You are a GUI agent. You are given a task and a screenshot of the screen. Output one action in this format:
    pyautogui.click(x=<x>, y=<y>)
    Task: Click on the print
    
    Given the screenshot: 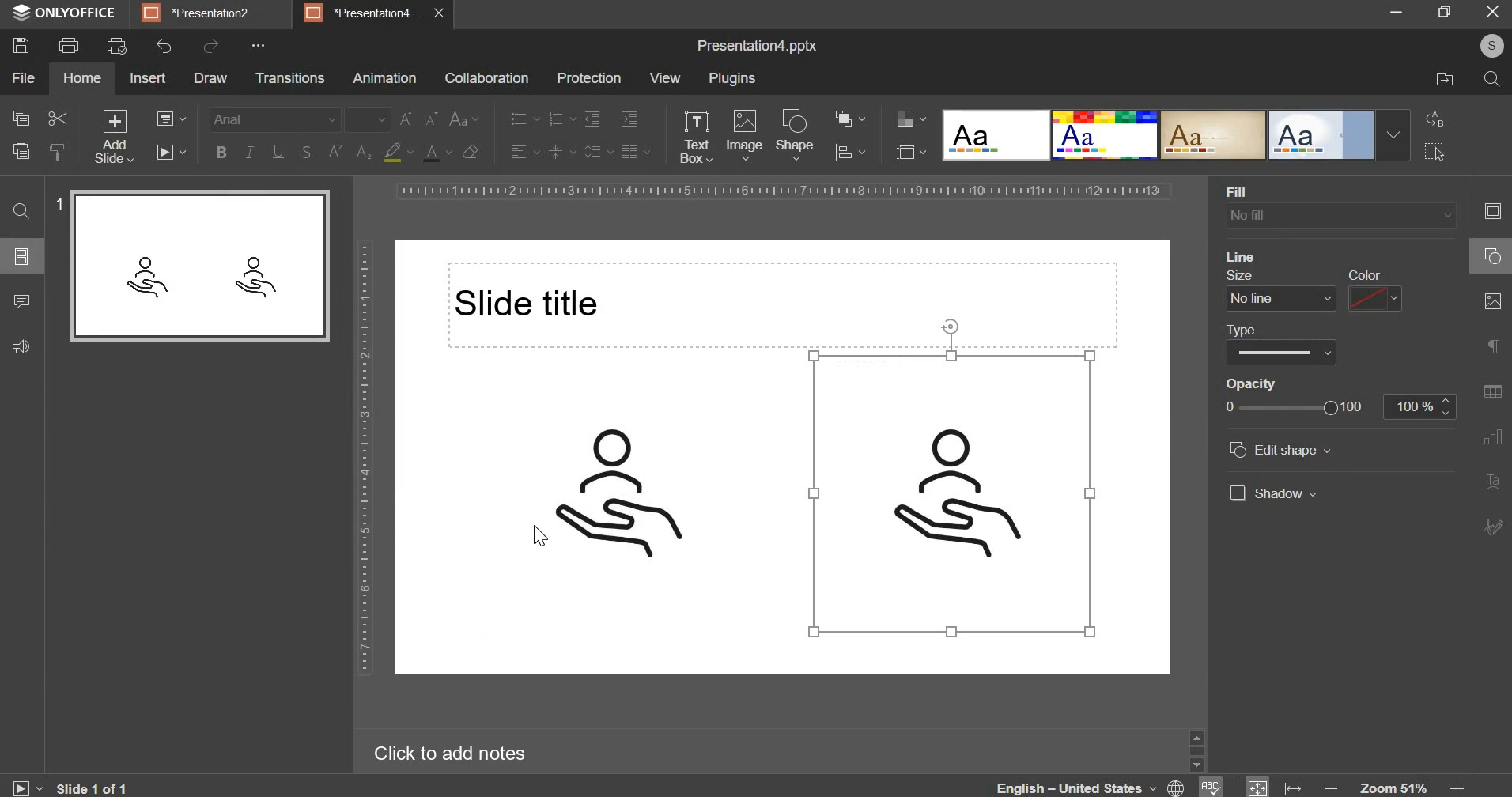 What is the action you would take?
    pyautogui.click(x=67, y=46)
    